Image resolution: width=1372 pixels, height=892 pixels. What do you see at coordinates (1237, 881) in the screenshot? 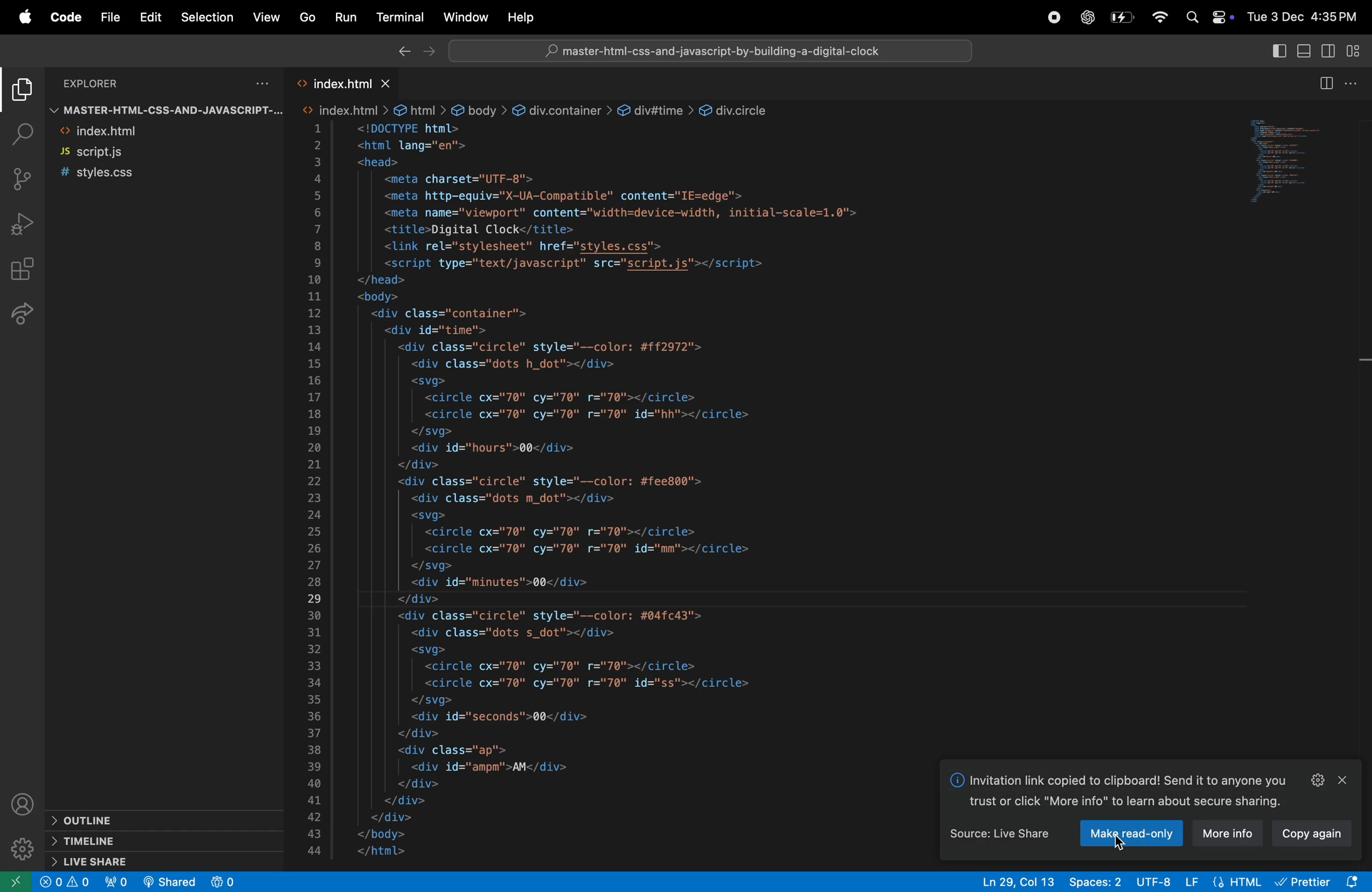
I see `HTML` at bounding box center [1237, 881].